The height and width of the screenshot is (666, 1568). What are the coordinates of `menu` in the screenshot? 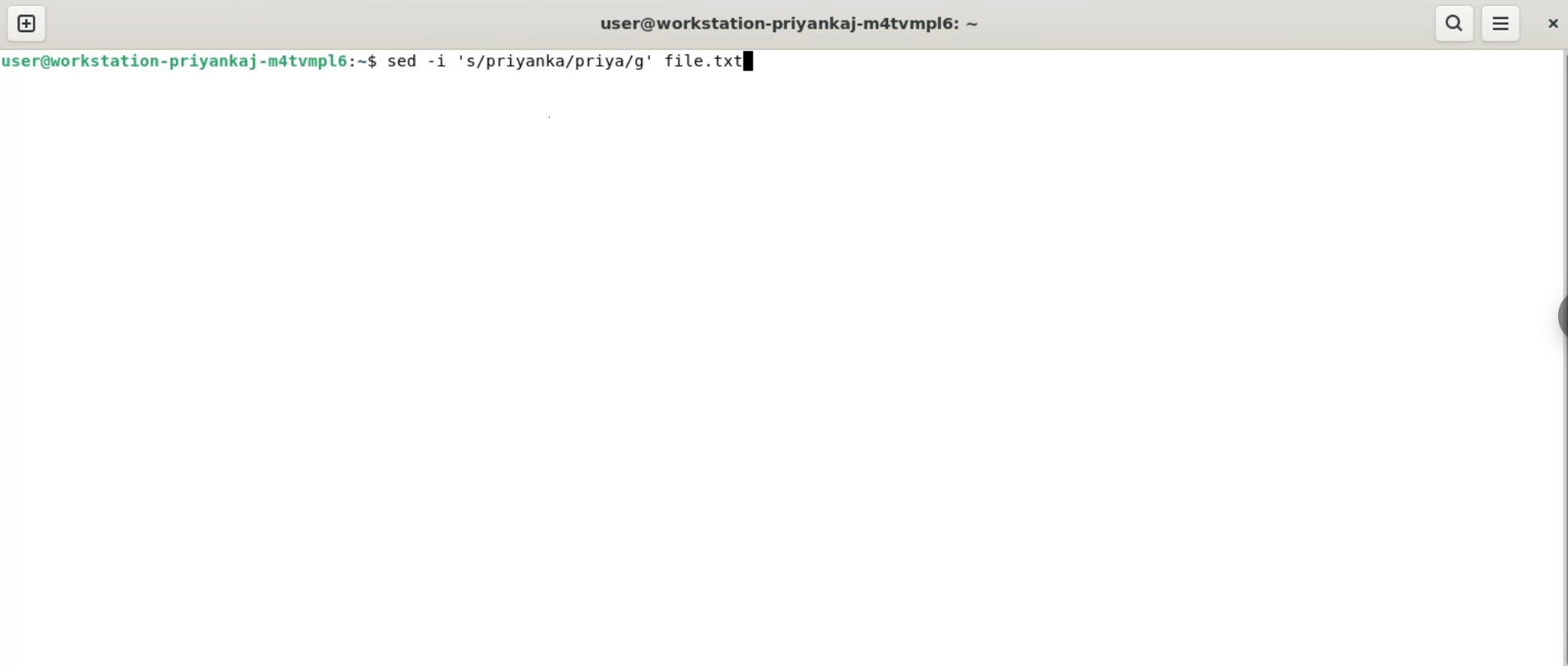 It's located at (1502, 23).